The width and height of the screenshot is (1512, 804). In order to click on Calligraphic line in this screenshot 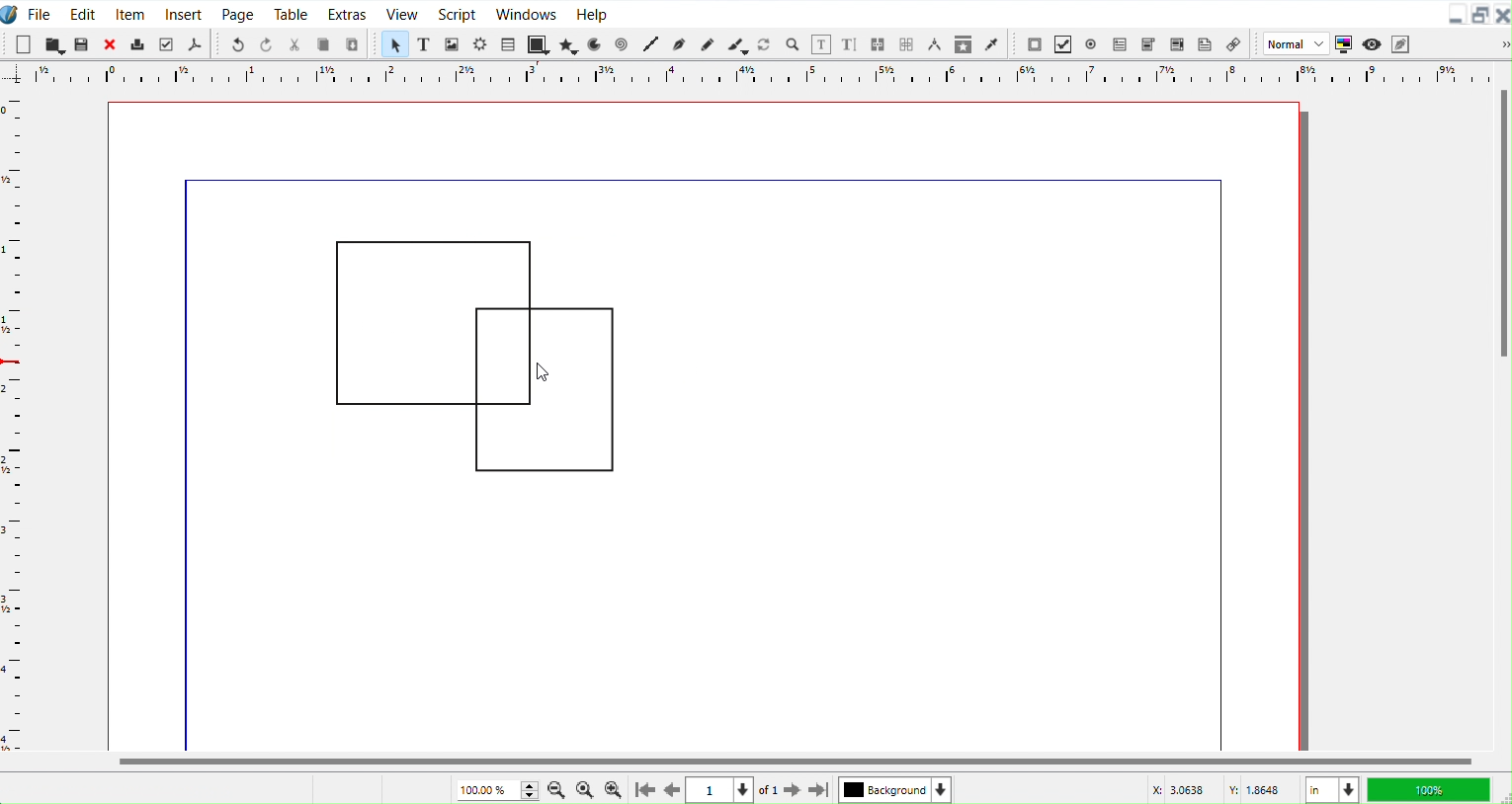, I will do `click(737, 44)`.